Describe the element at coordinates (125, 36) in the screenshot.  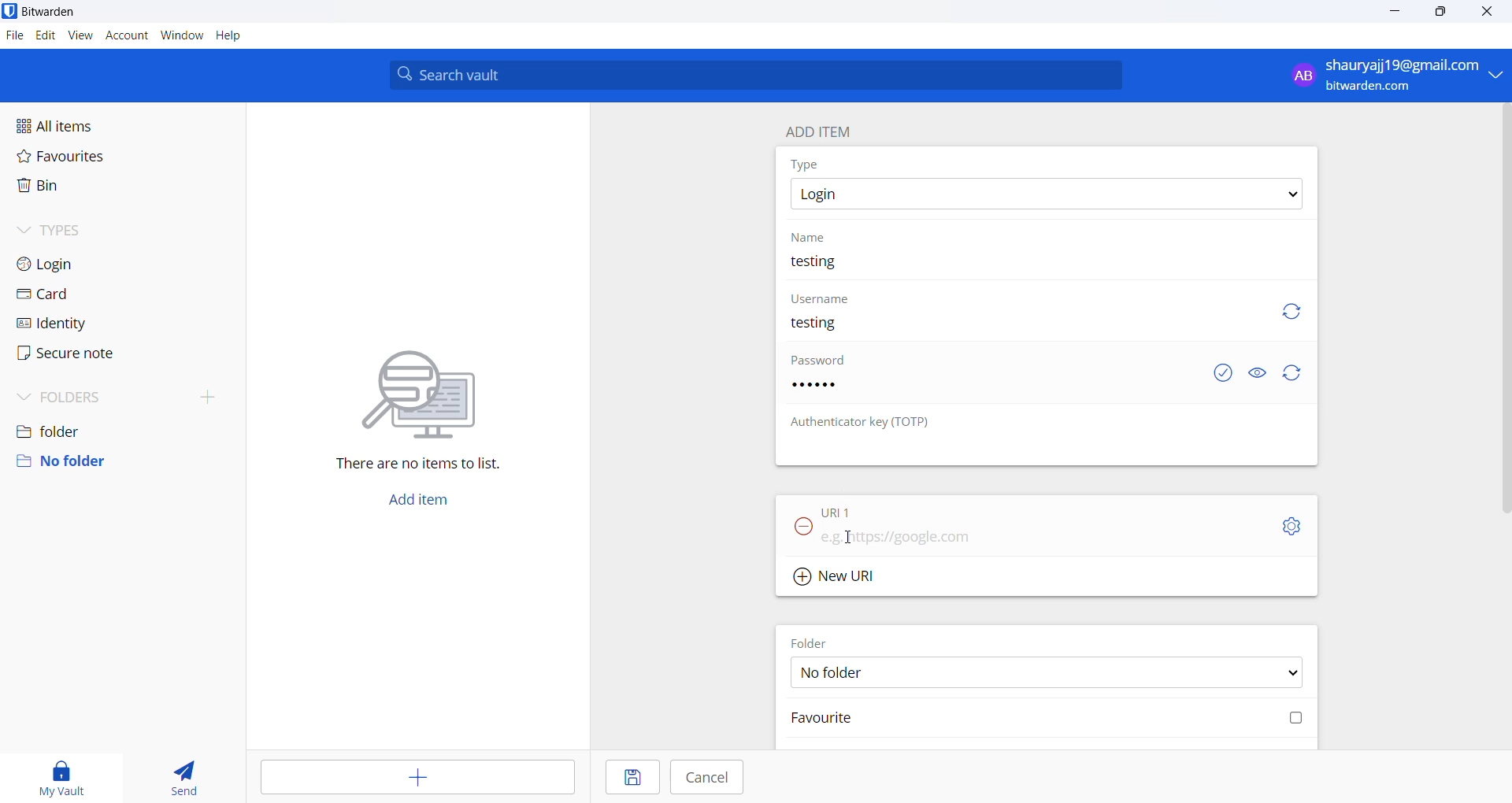
I see `account` at that location.